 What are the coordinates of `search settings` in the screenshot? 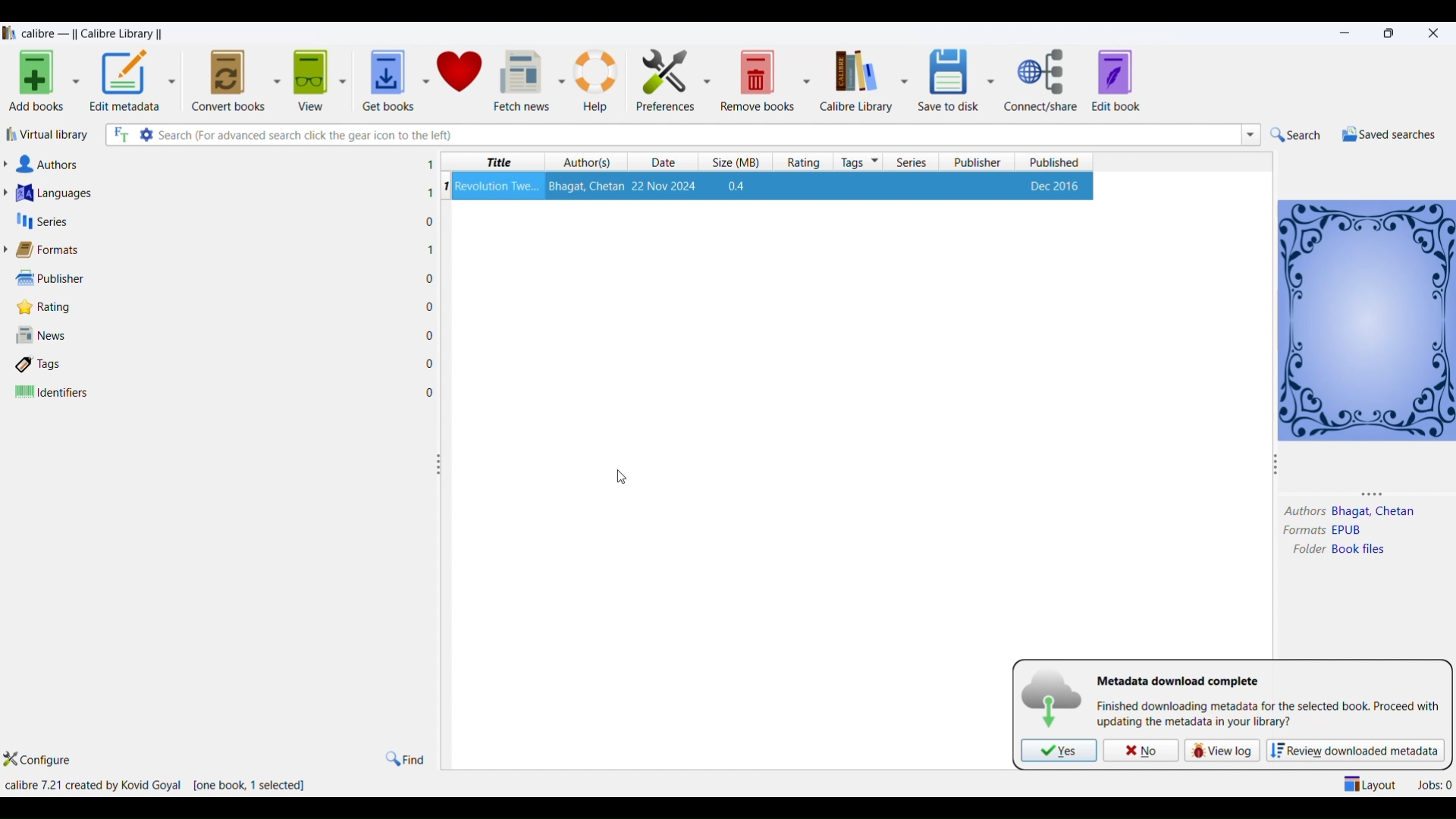 It's located at (147, 134).